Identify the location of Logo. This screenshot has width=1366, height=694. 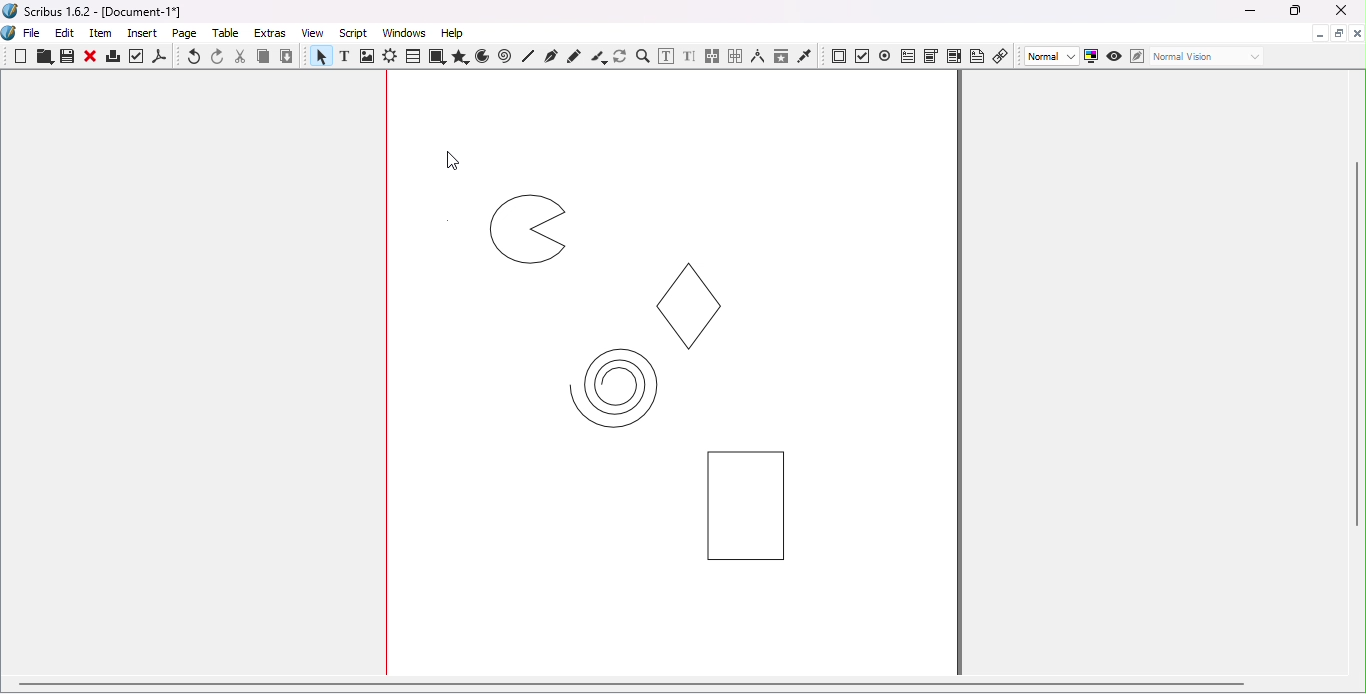
(10, 34).